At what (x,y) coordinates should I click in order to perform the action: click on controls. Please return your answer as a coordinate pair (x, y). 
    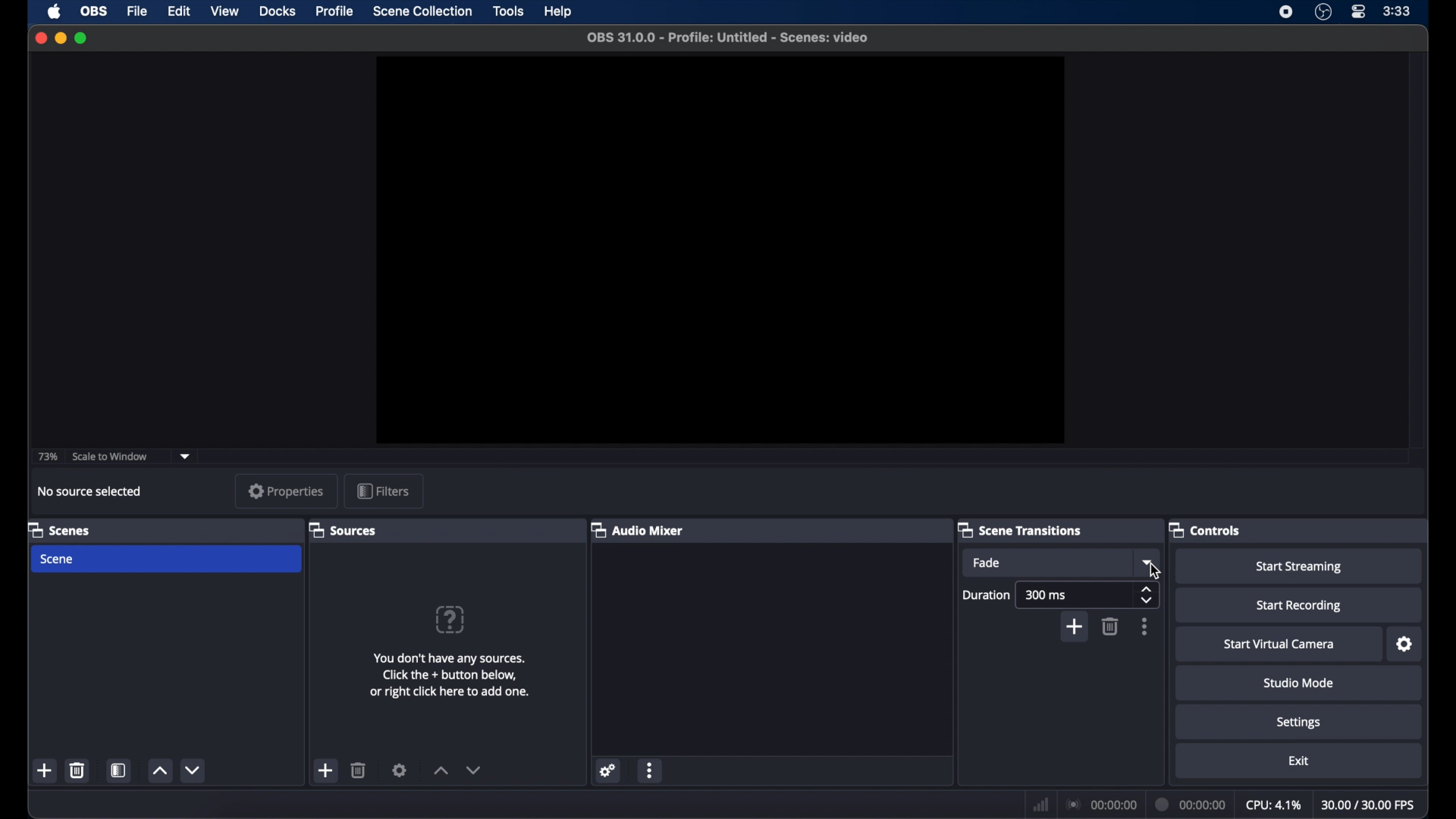
    Looking at the image, I should click on (1205, 529).